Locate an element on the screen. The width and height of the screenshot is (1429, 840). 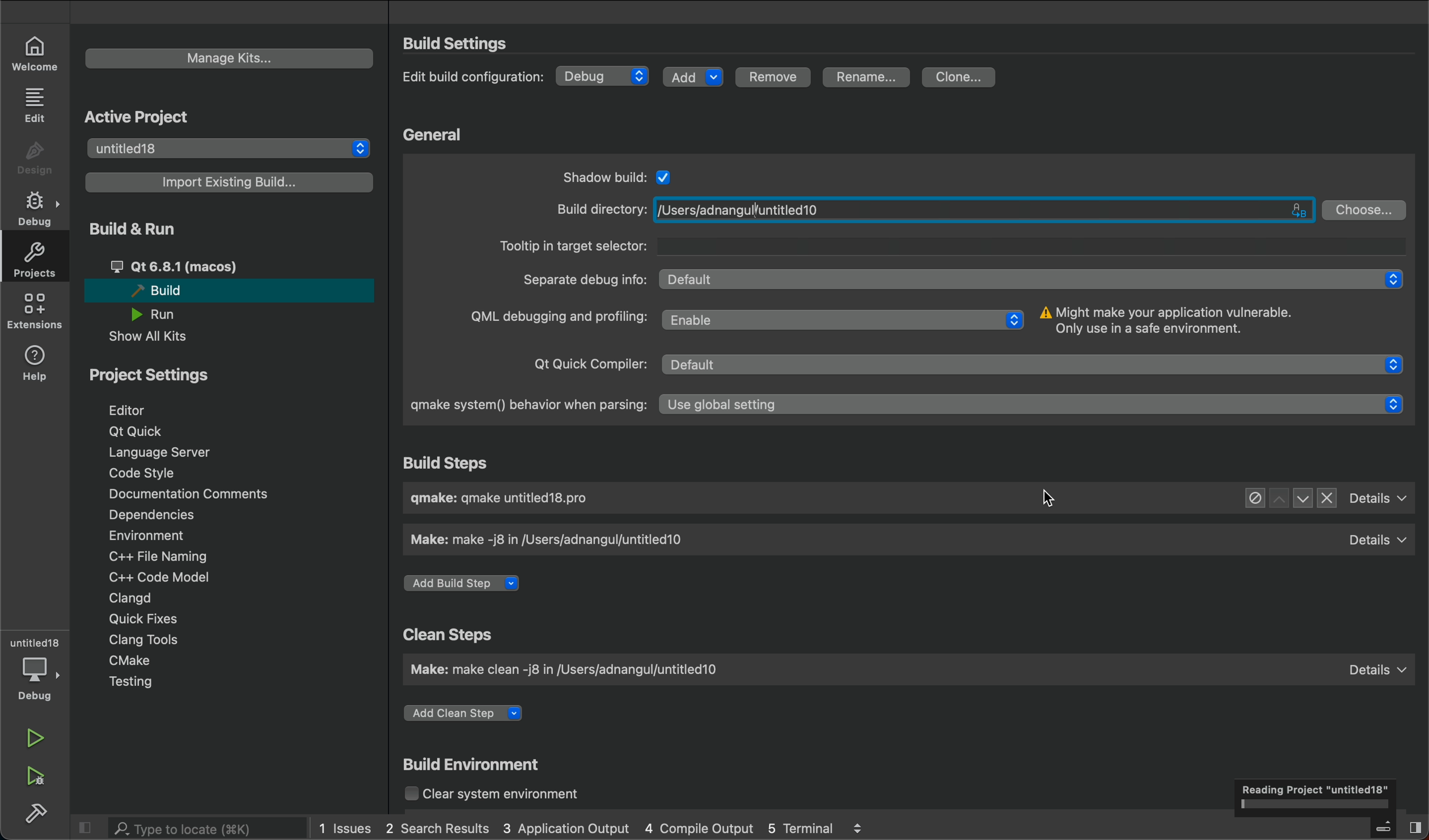
Build directory: is located at coordinates (598, 209).